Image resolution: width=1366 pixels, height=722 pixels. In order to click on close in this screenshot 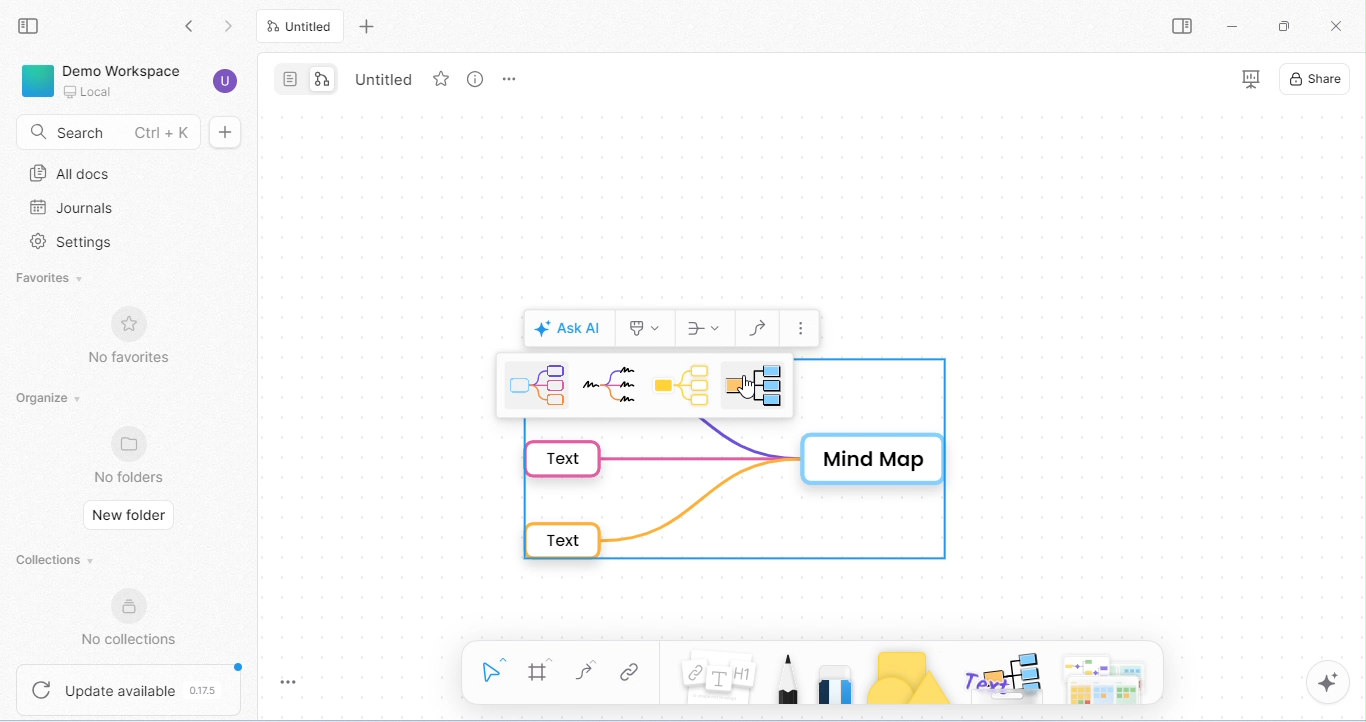, I will do `click(1334, 28)`.